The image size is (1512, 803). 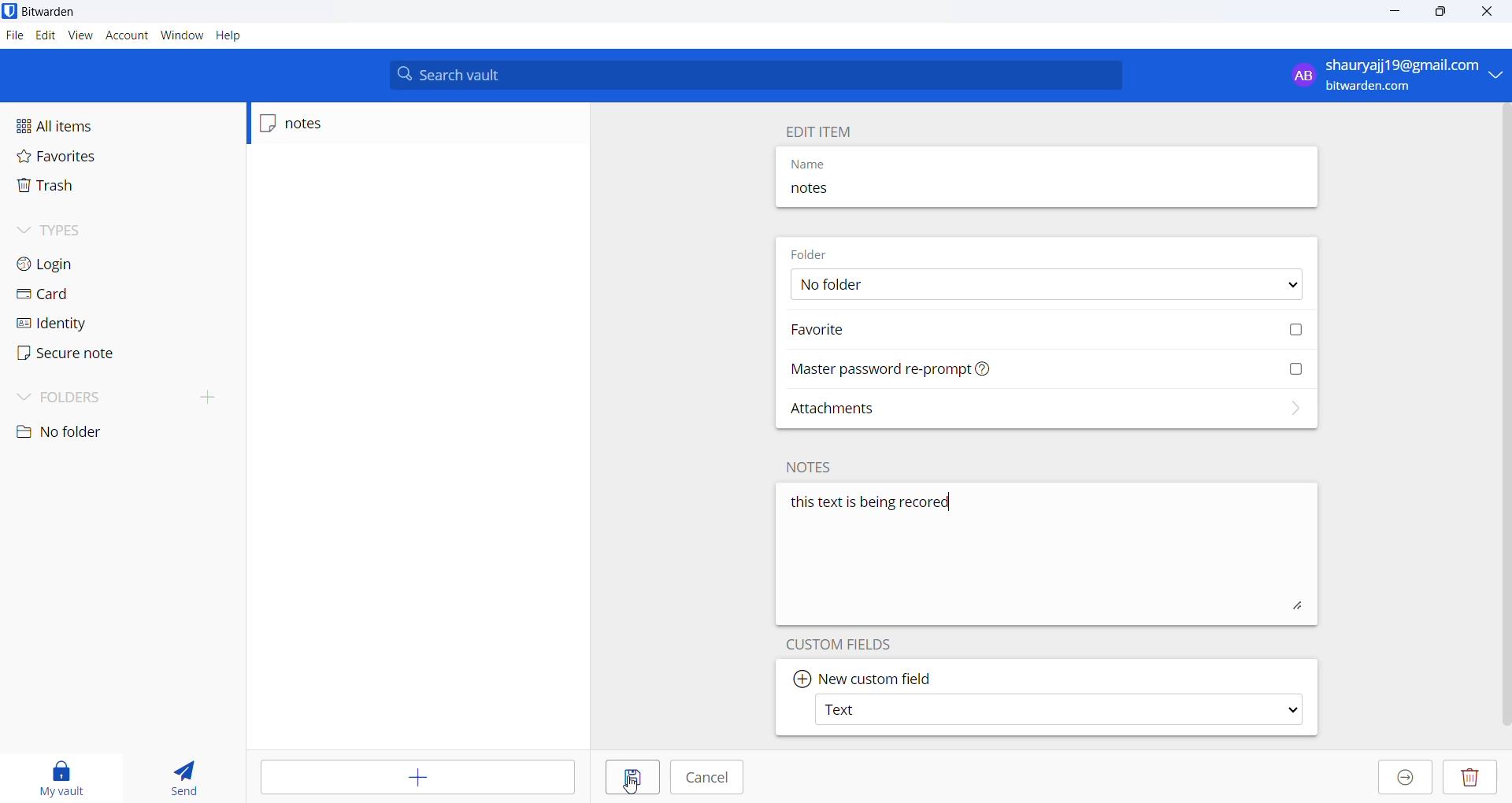 What do you see at coordinates (80, 263) in the screenshot?
I see `login` at bounding box center [80, 263].